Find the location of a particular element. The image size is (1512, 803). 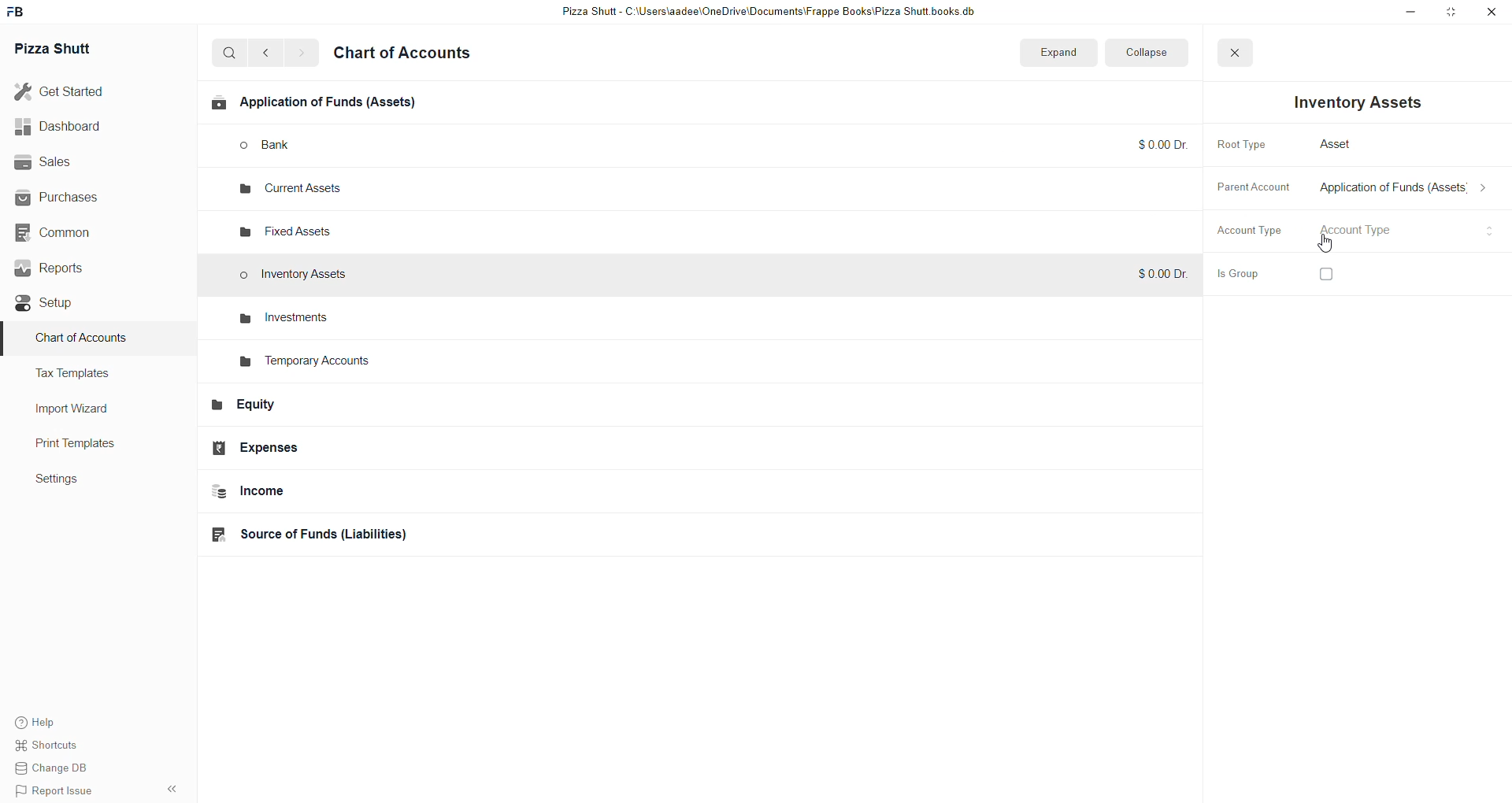

collapse  is located at coordinates (1143, 52).